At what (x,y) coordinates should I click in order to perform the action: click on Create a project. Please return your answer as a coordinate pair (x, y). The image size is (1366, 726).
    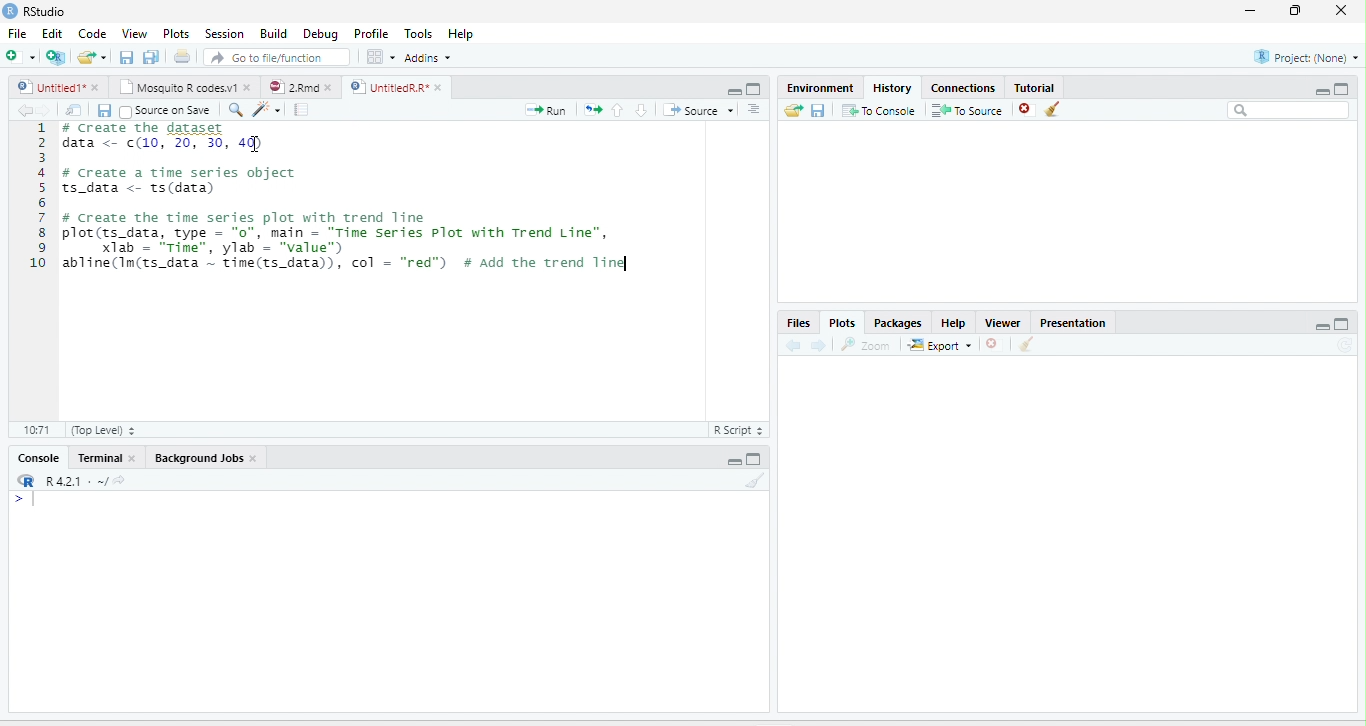
    Looking at the image, I should click on (55, 56).